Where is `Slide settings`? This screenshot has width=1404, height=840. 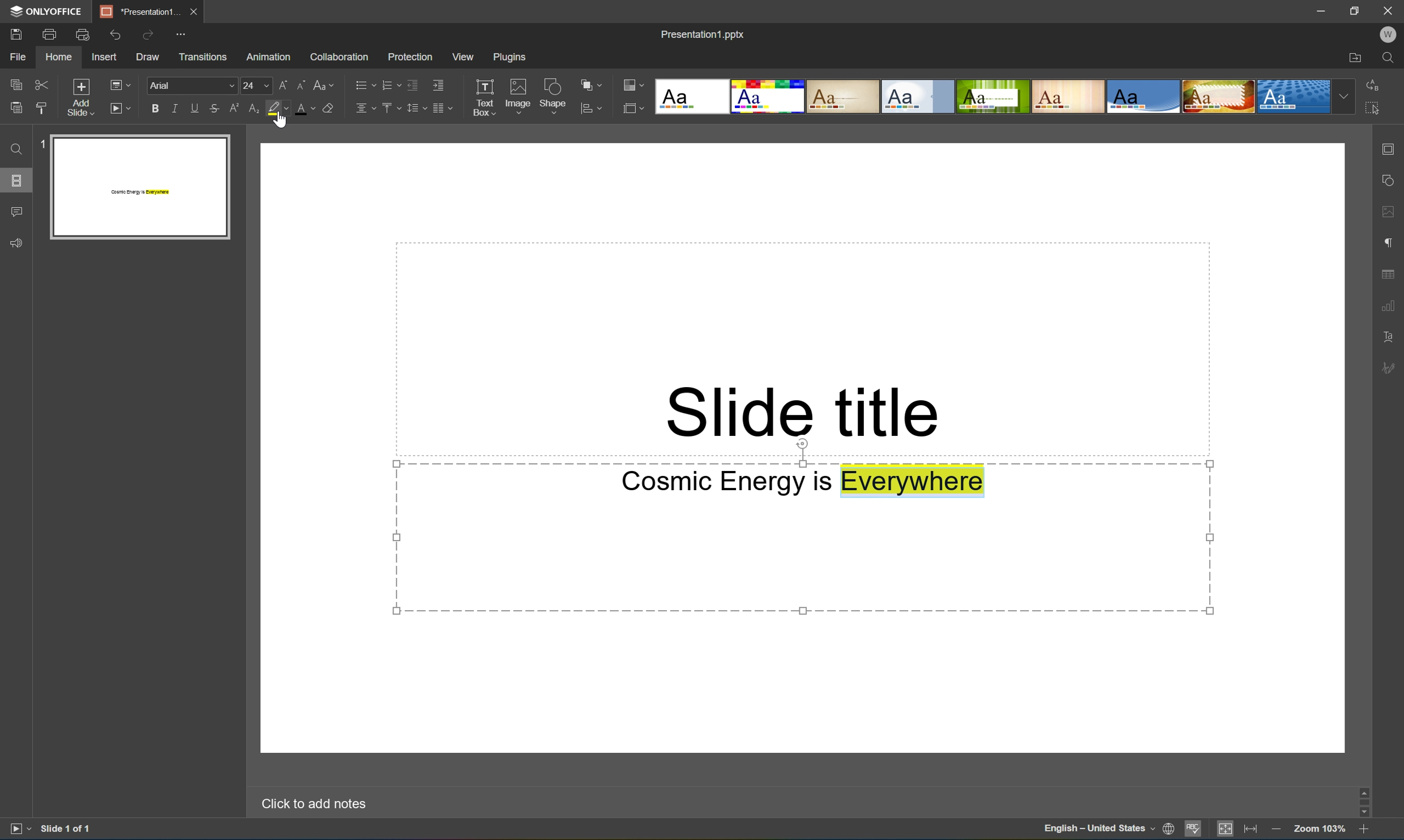 Slide settings is located at coordinates (1390, 145).